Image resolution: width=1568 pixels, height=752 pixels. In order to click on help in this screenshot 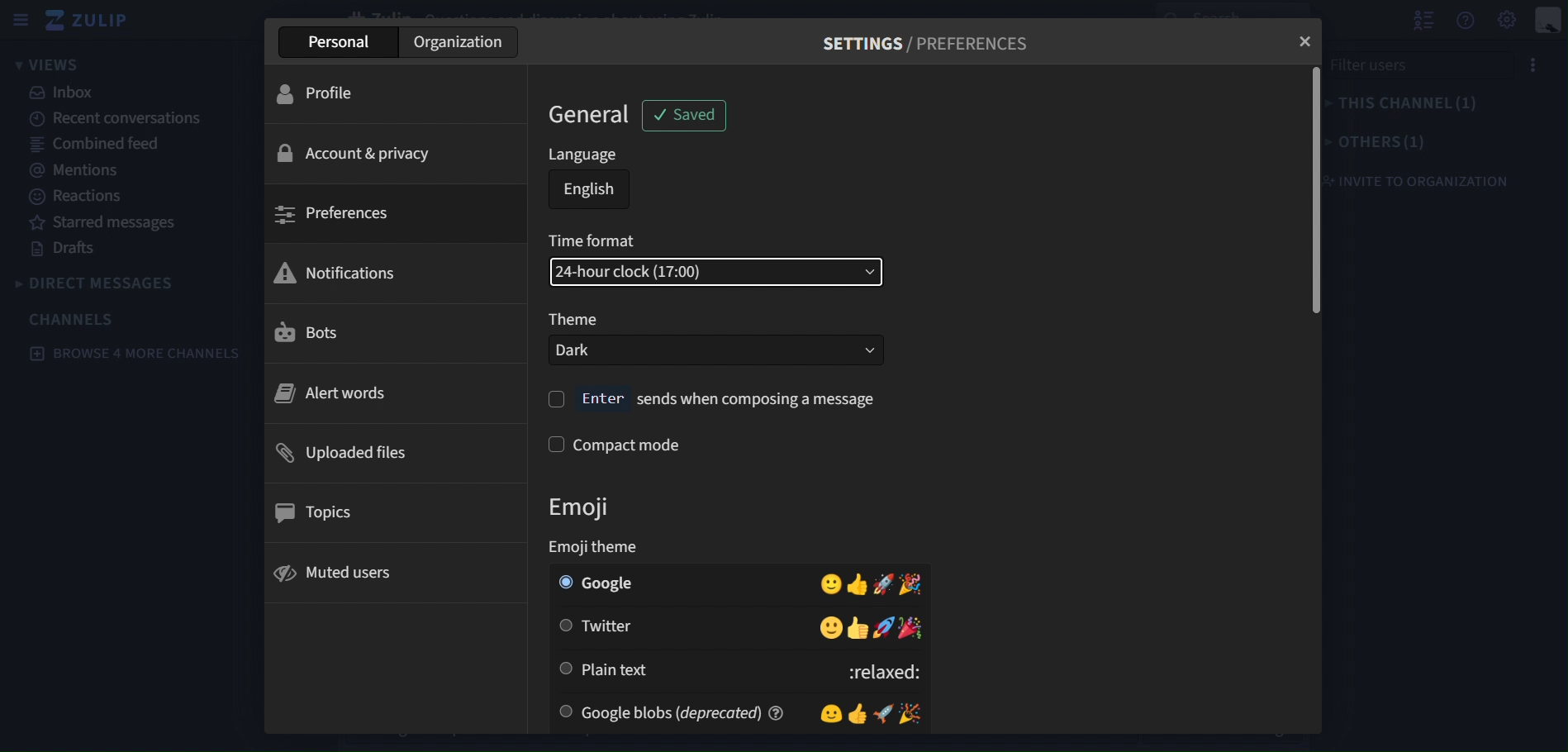, I will do `click(783, 713)`.